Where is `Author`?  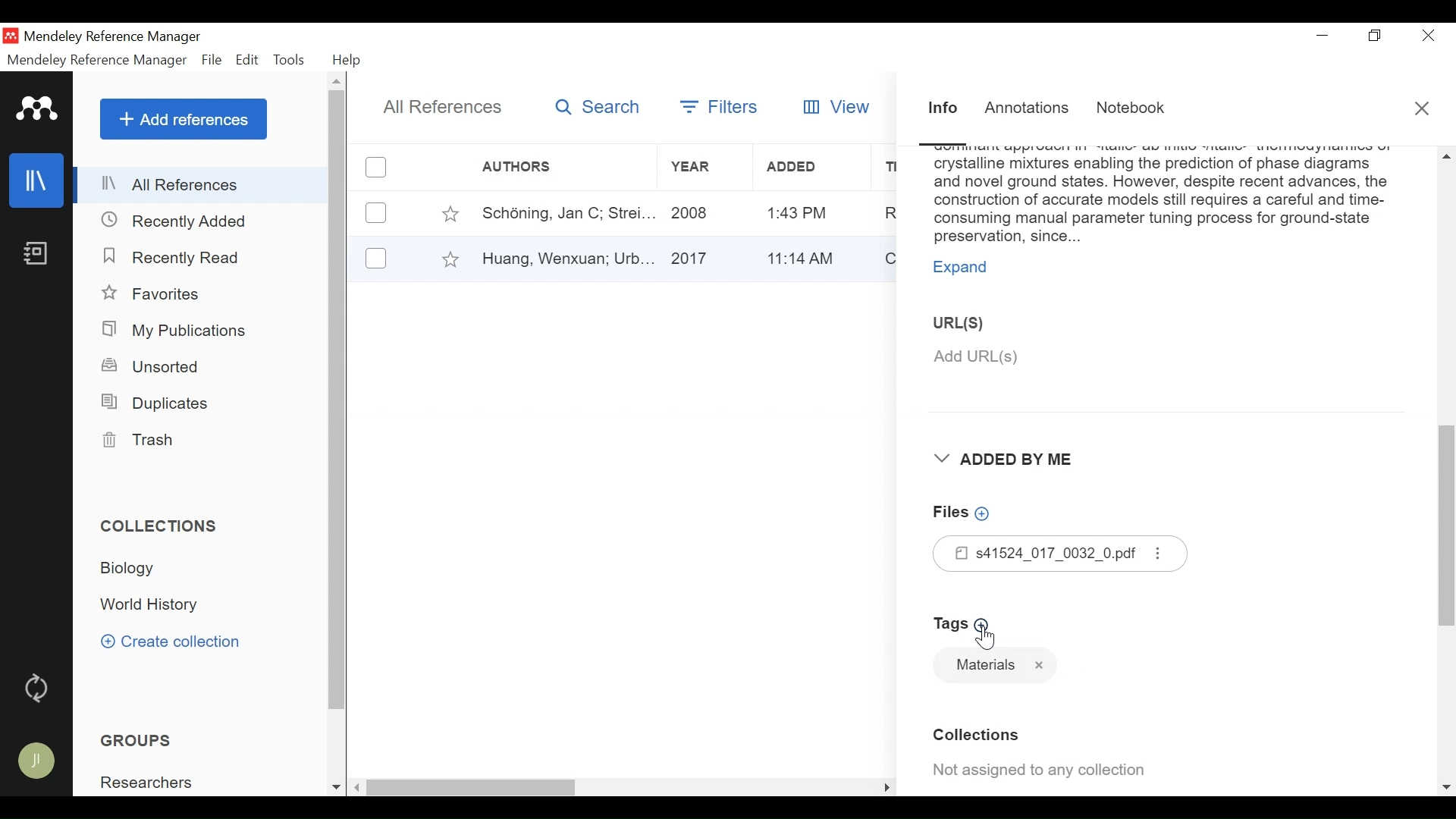 Author is located at coordinates (562, 212).